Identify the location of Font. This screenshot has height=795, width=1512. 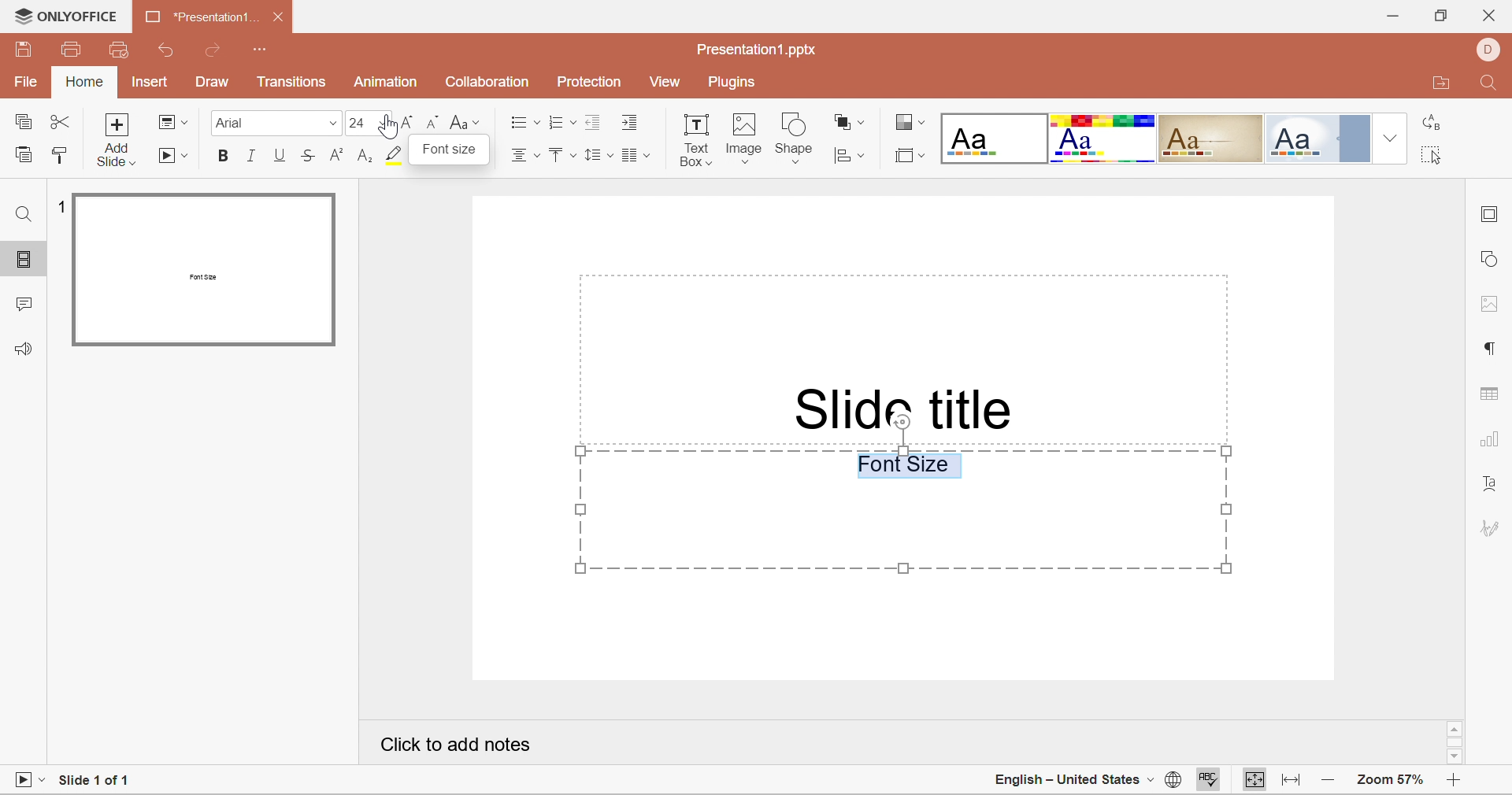
(230, 122).